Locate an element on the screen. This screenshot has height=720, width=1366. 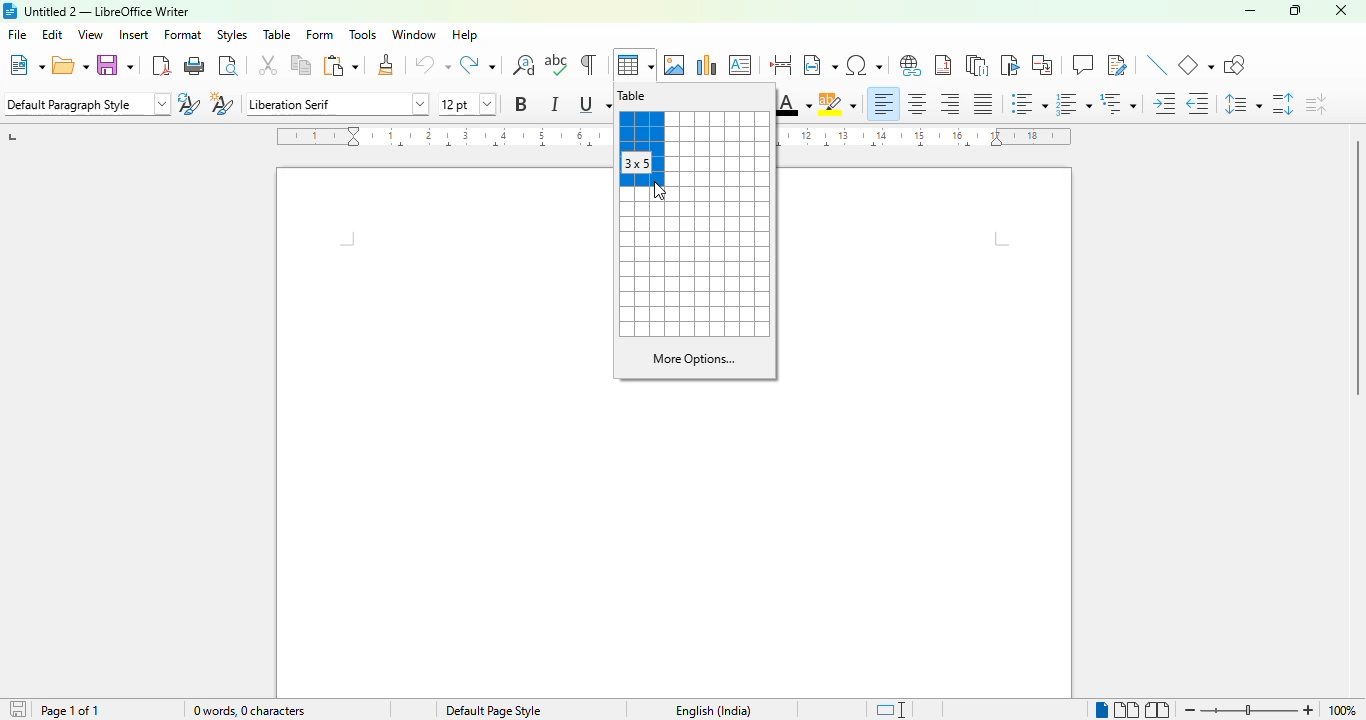
export directly as PDF is located at coordinates (162, 66).